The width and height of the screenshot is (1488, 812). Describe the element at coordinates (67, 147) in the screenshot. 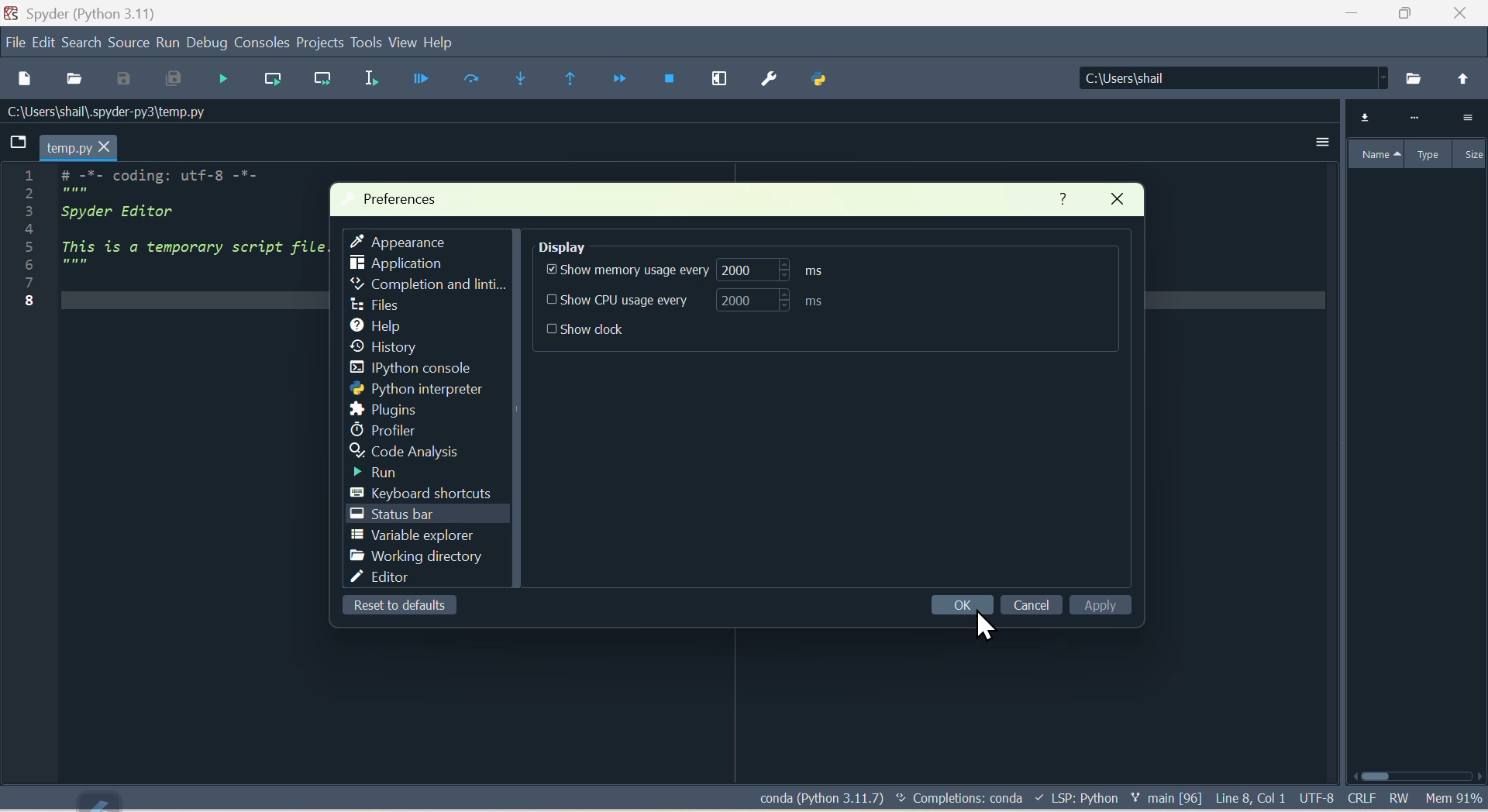

I see `temp.py` at that location.